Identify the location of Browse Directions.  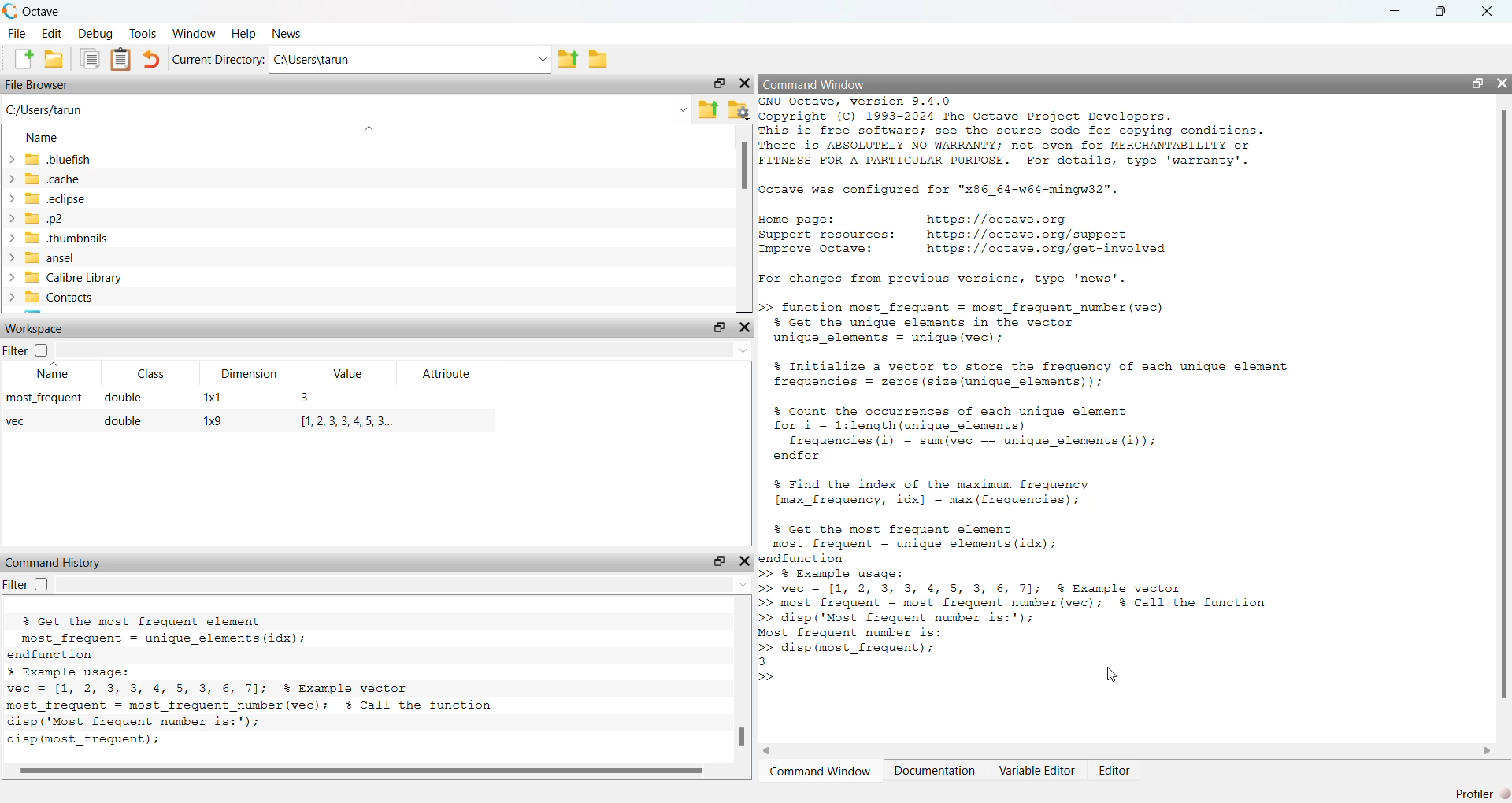
(598, 57).